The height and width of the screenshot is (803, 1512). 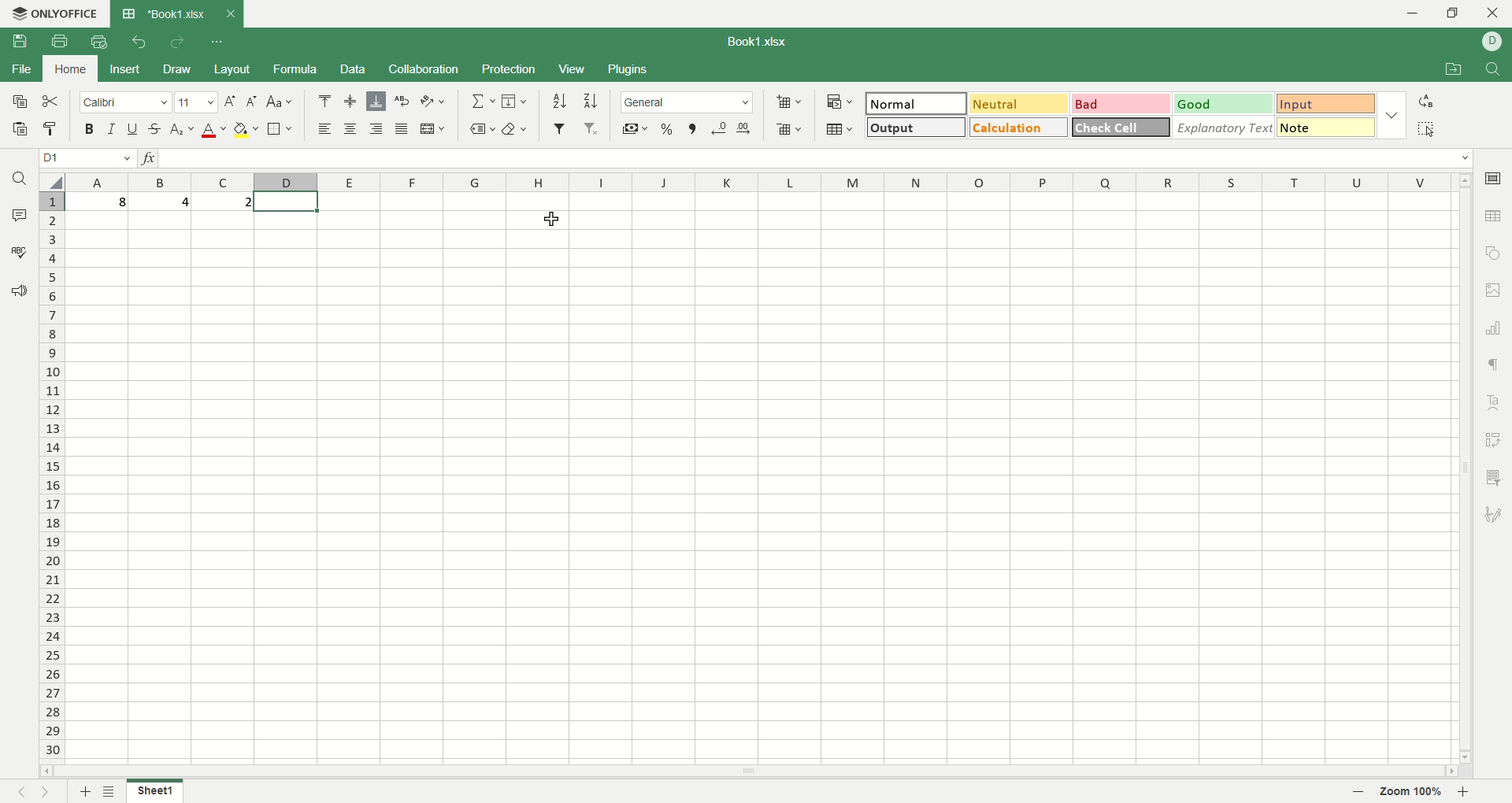 I want to click on cursor, so click(x=561, y=220).